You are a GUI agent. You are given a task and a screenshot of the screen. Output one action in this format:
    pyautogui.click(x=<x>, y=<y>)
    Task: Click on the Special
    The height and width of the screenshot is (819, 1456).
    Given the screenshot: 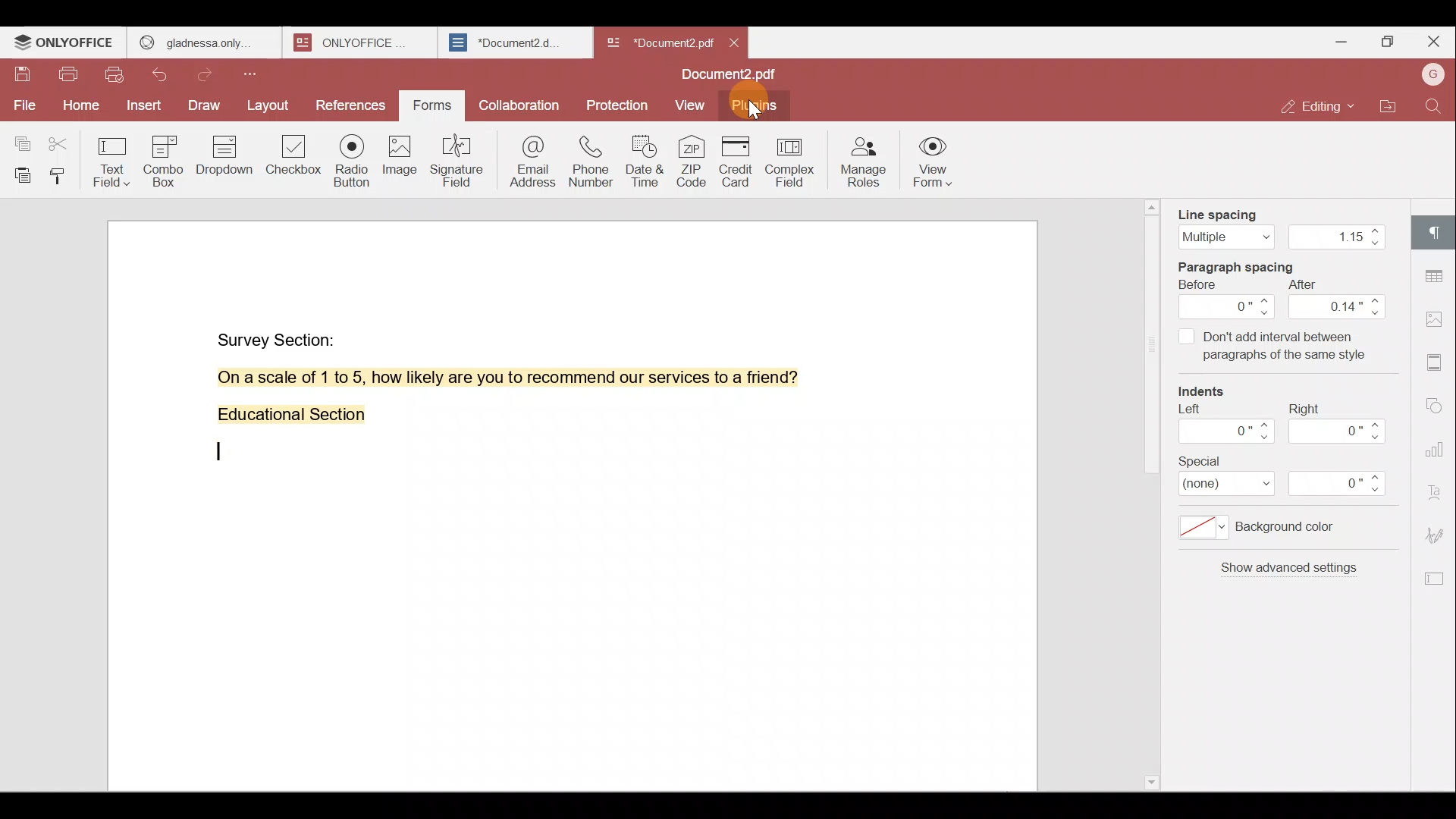 What is the action you would take?
    pyautogui.click(x=1292, y=477)
    